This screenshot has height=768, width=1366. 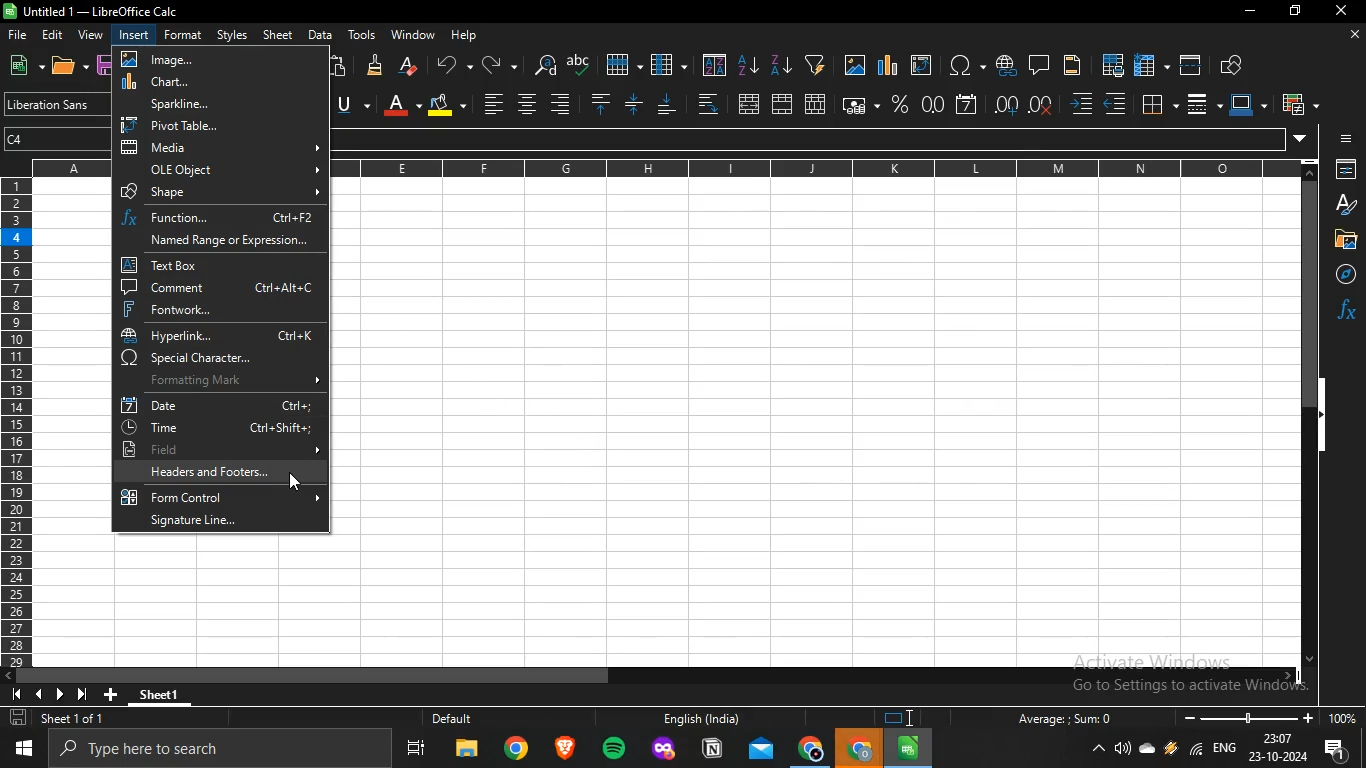 I want to click on insert special characters, so click(x=962, y=65).